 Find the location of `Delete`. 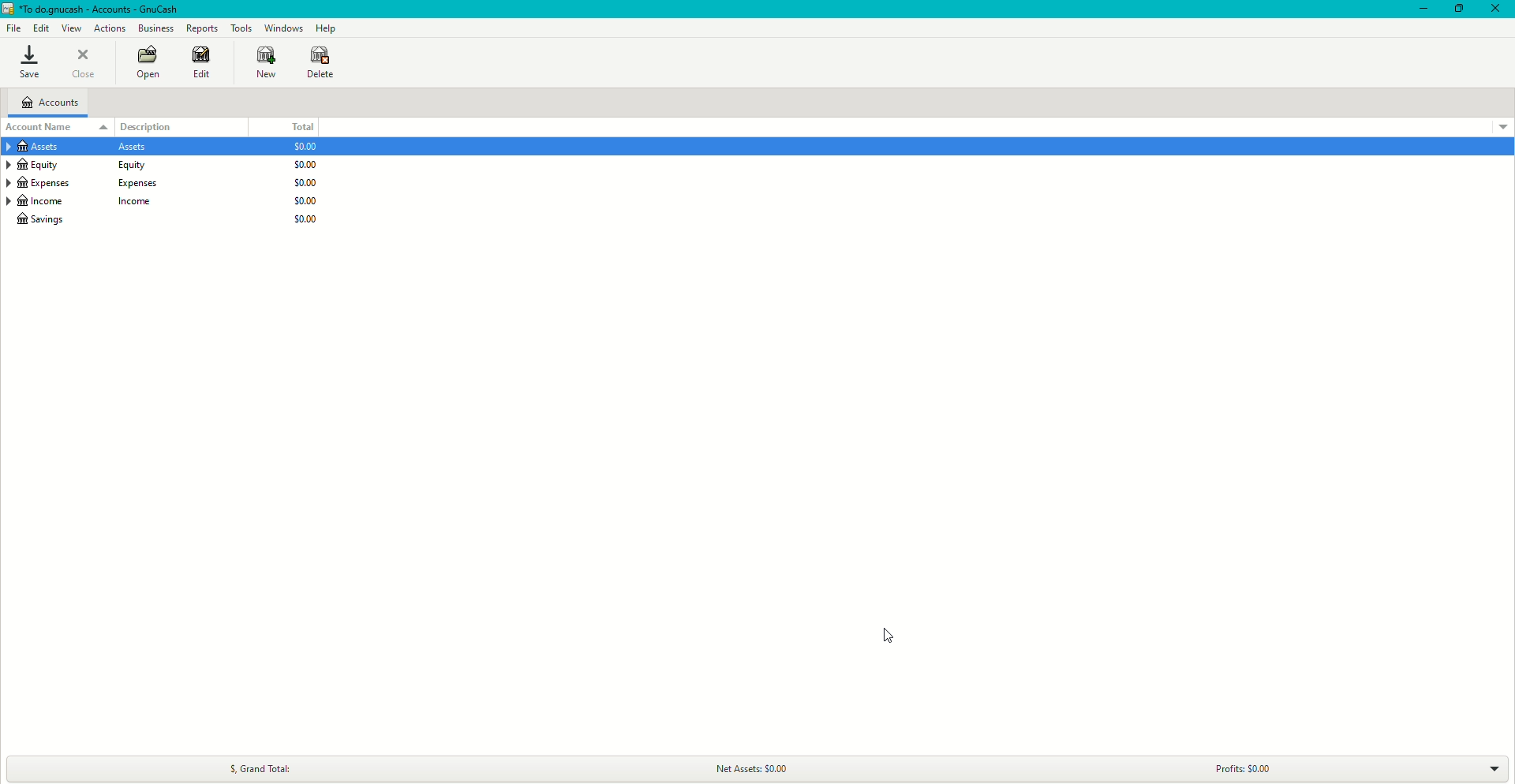

Delete is located at coordinates (320, 62).